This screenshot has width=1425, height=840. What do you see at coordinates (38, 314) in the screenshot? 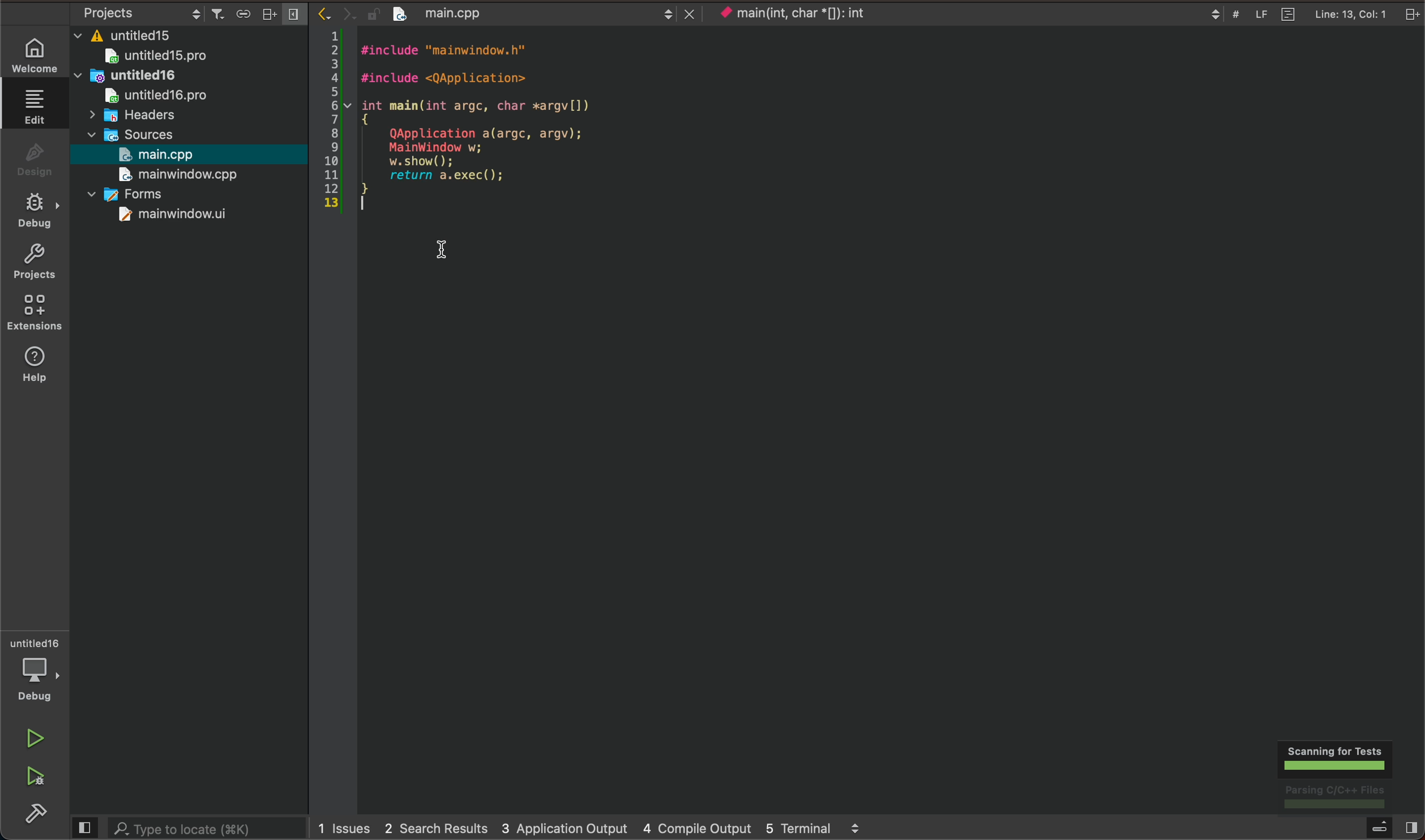
I see `Extension ` at bounding box center [38, 314].